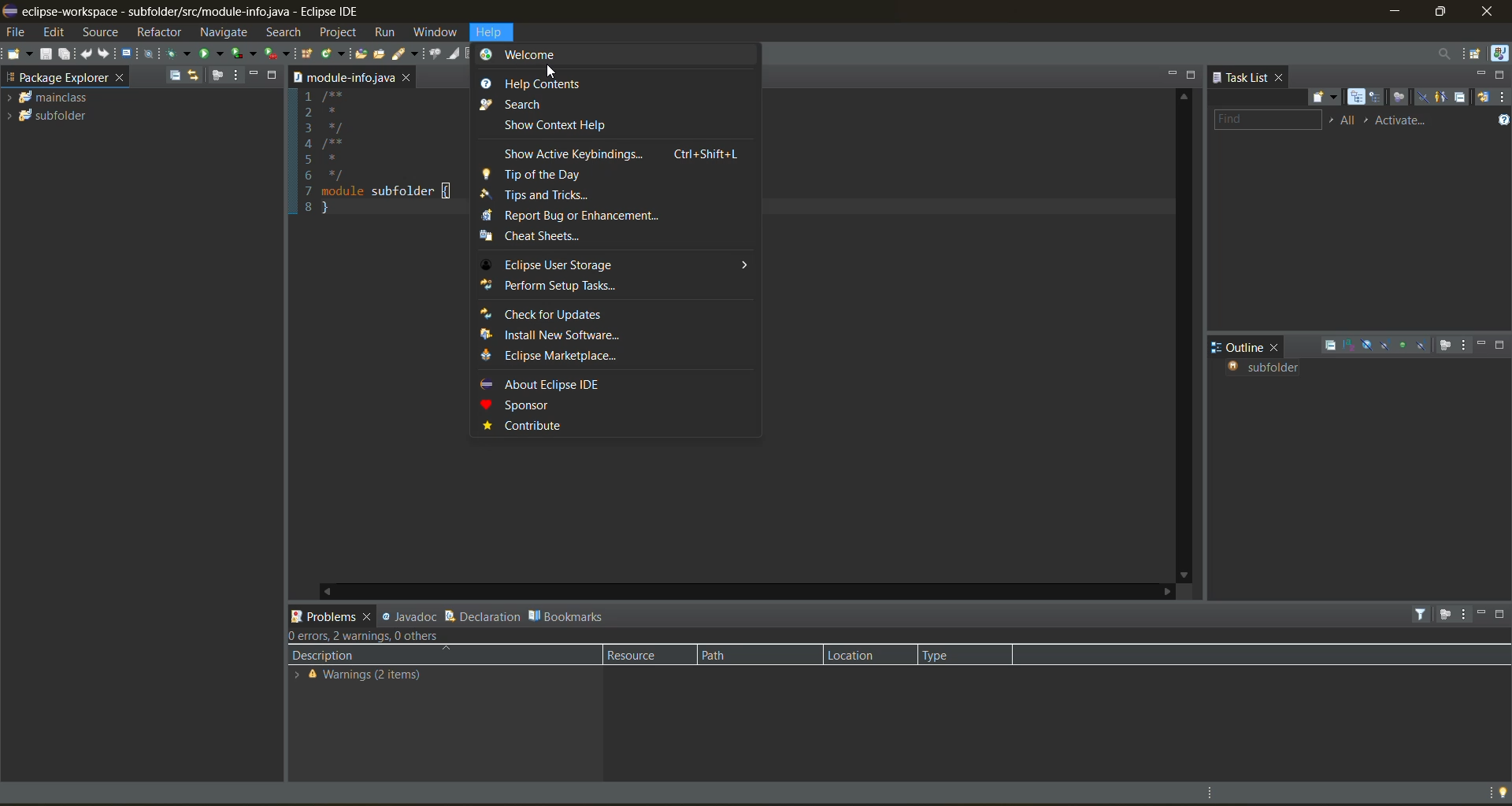  What do you see at coordinates (547, 358) in the screenshot?
I see `eclipse marketplace` at bounding box center [547, 358].